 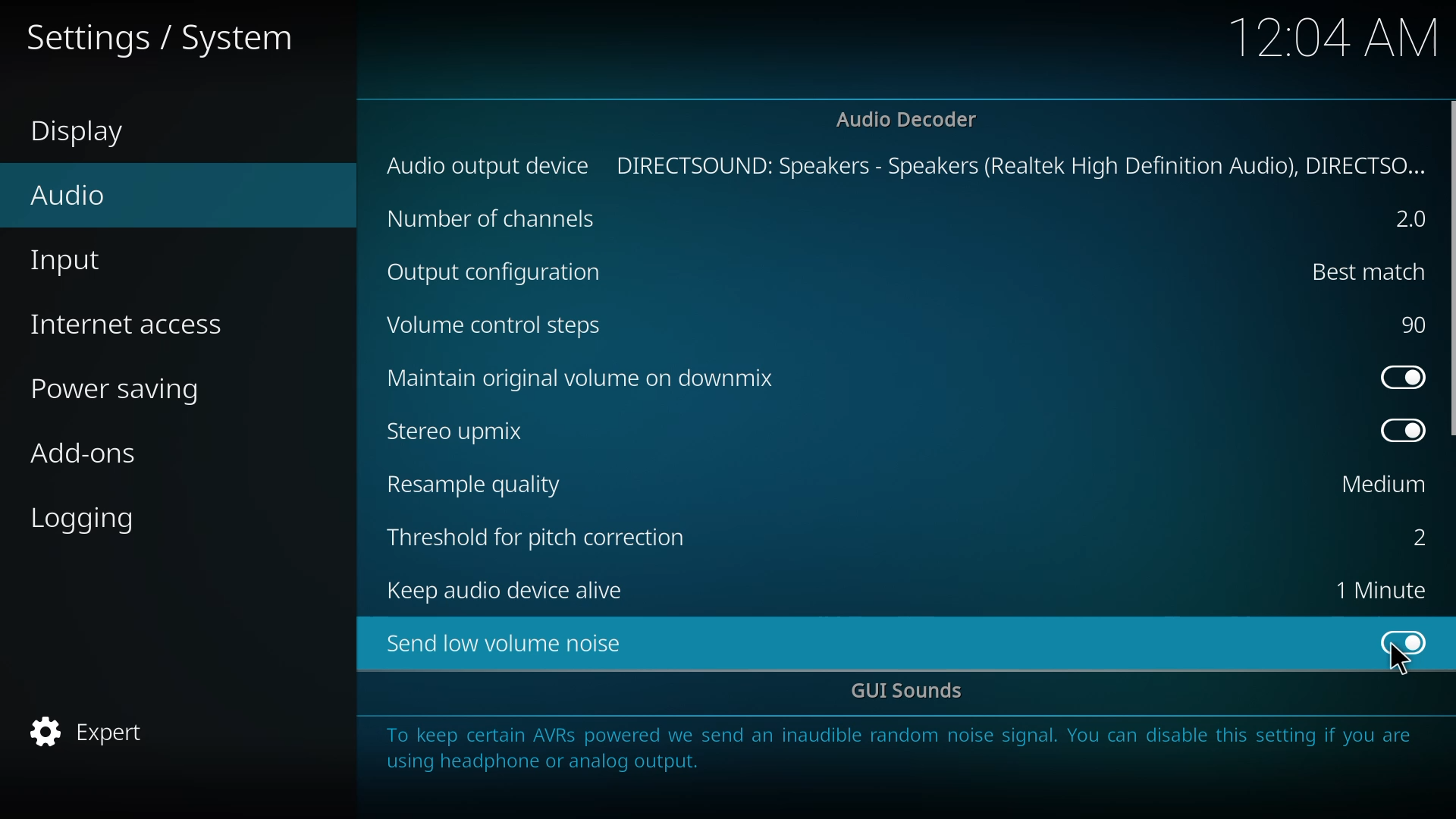 What do you see at coordinates (514, 592) in the screenshot?
I see `keep audio device alive` at bounding box center [514, 592].